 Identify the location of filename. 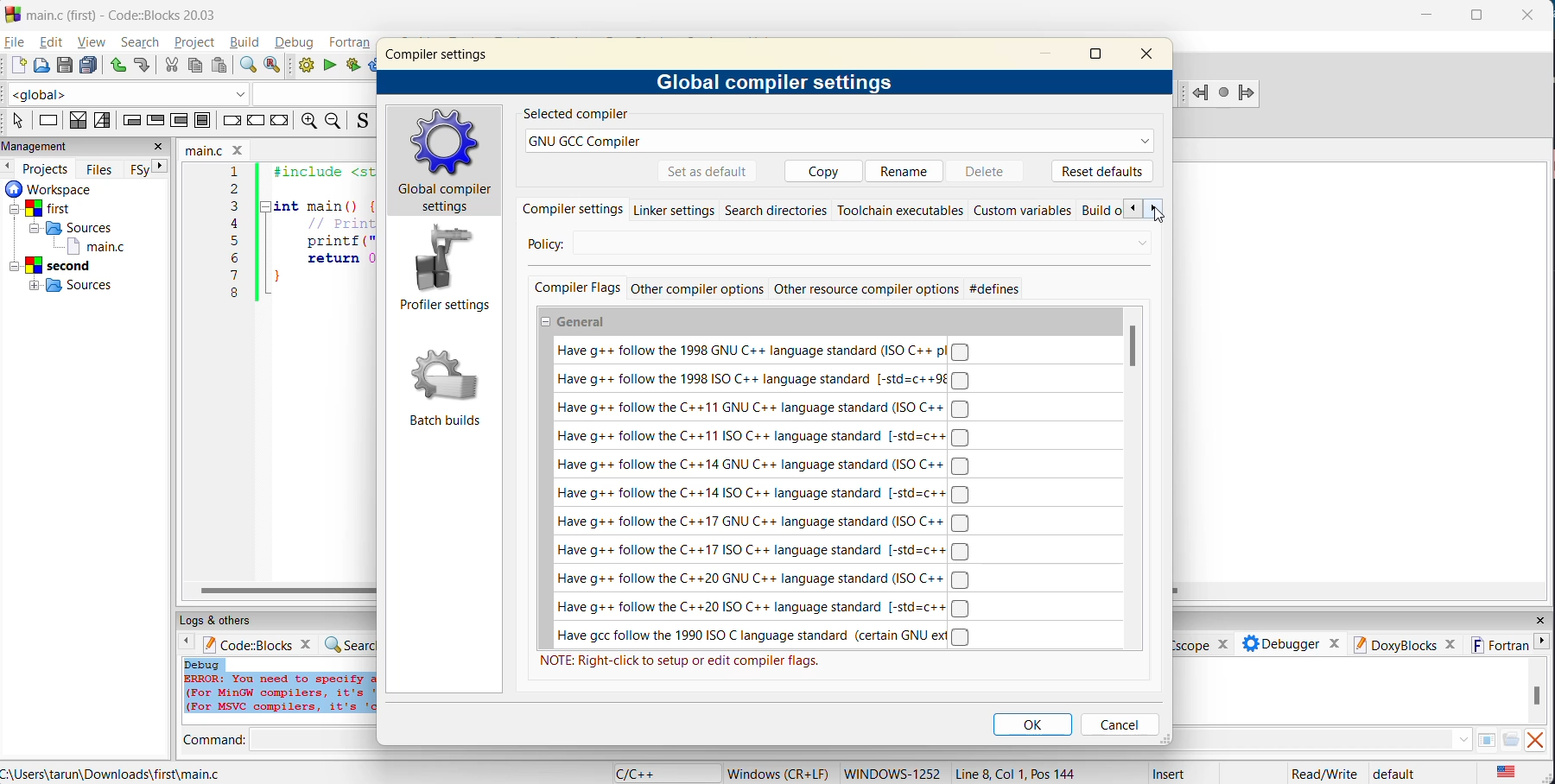
(213, 149).